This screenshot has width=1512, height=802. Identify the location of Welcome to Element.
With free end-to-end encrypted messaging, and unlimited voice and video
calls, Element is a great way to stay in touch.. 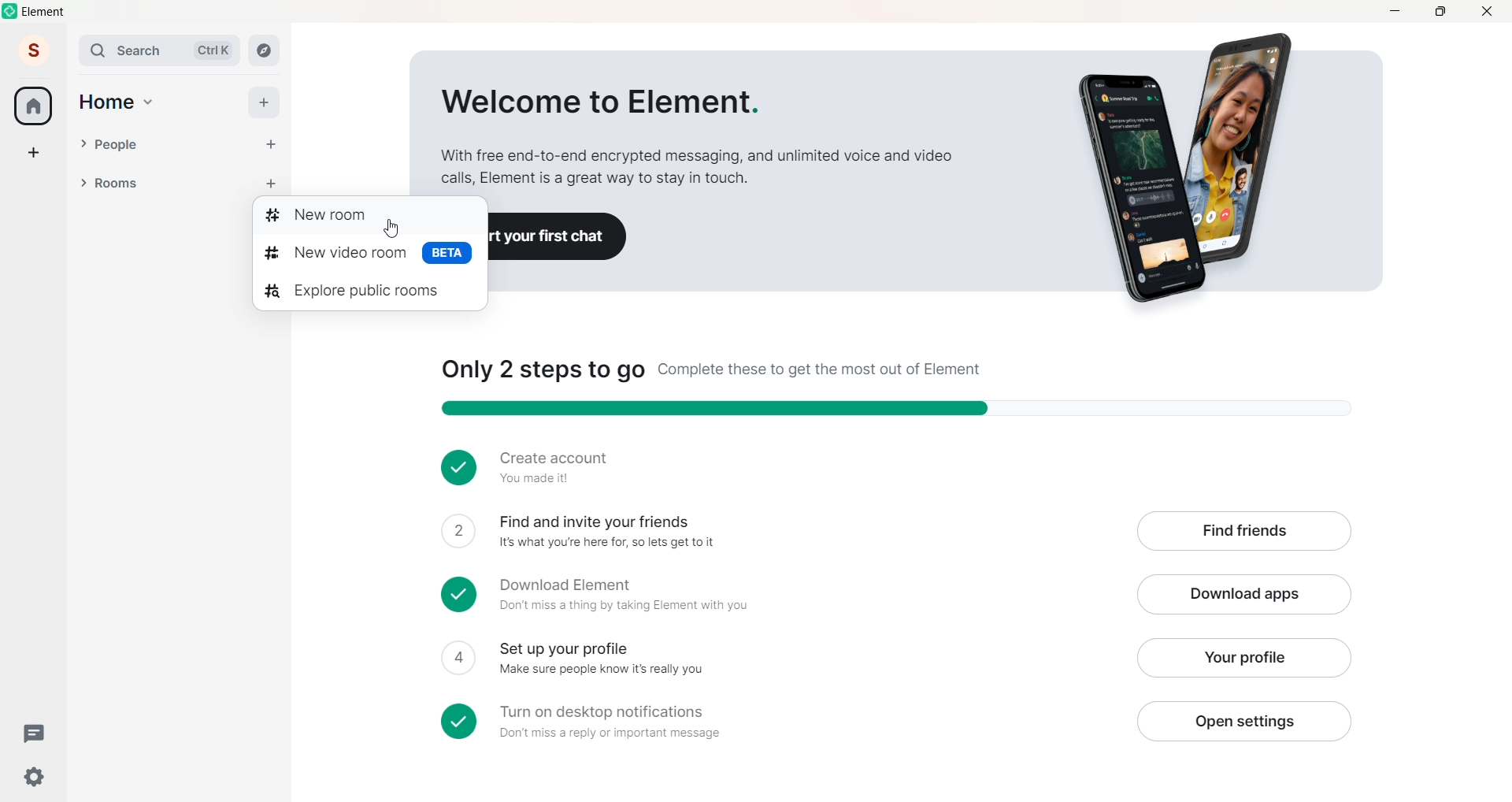
(696, 138).